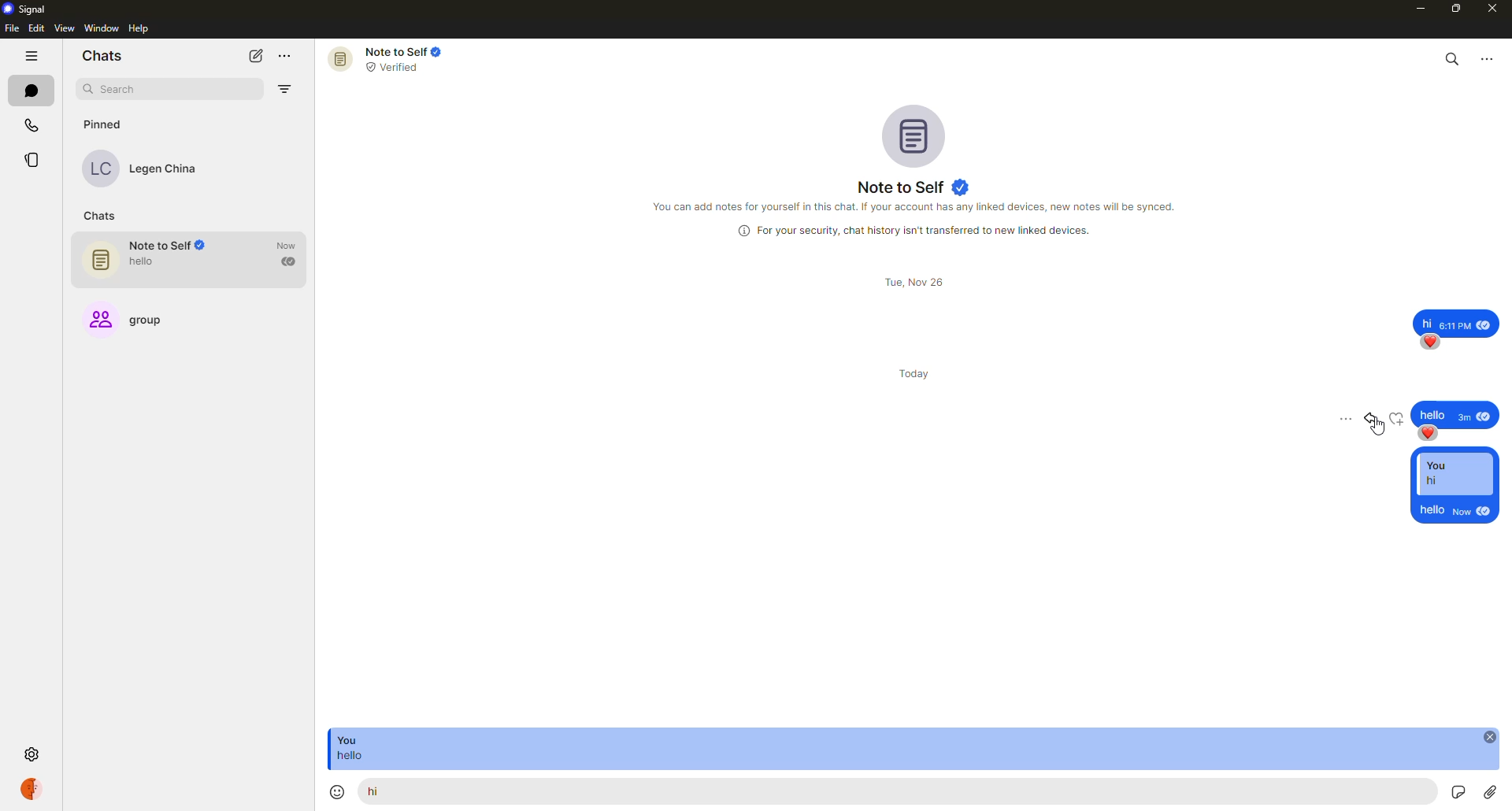  Describe the element at coordinates (1488, 58) in the screenshot. I see `more` at that location.